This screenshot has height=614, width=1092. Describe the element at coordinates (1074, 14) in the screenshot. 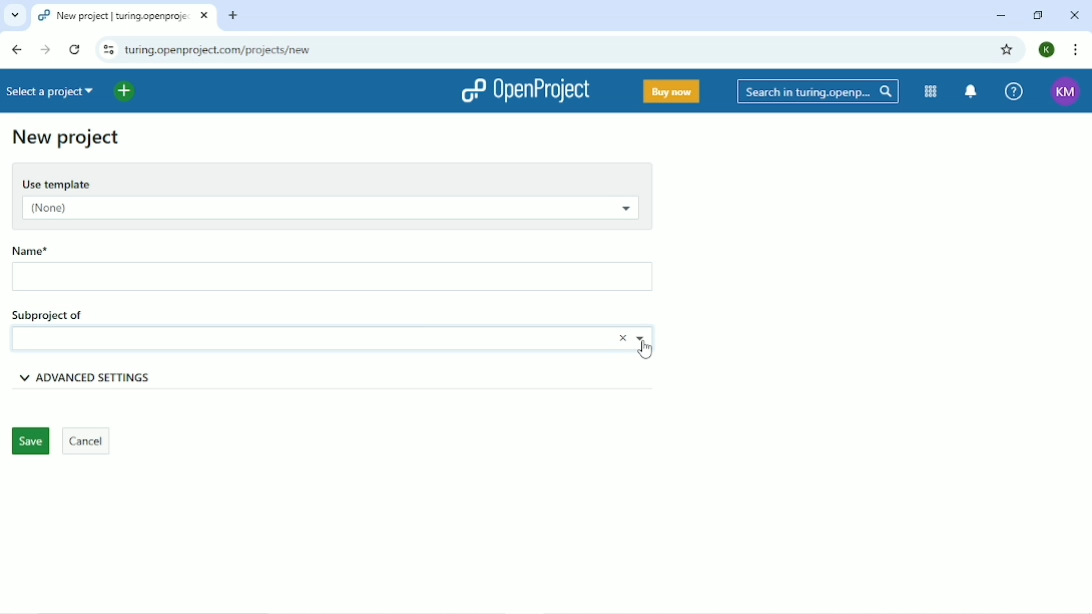

I see `Close` at that location.